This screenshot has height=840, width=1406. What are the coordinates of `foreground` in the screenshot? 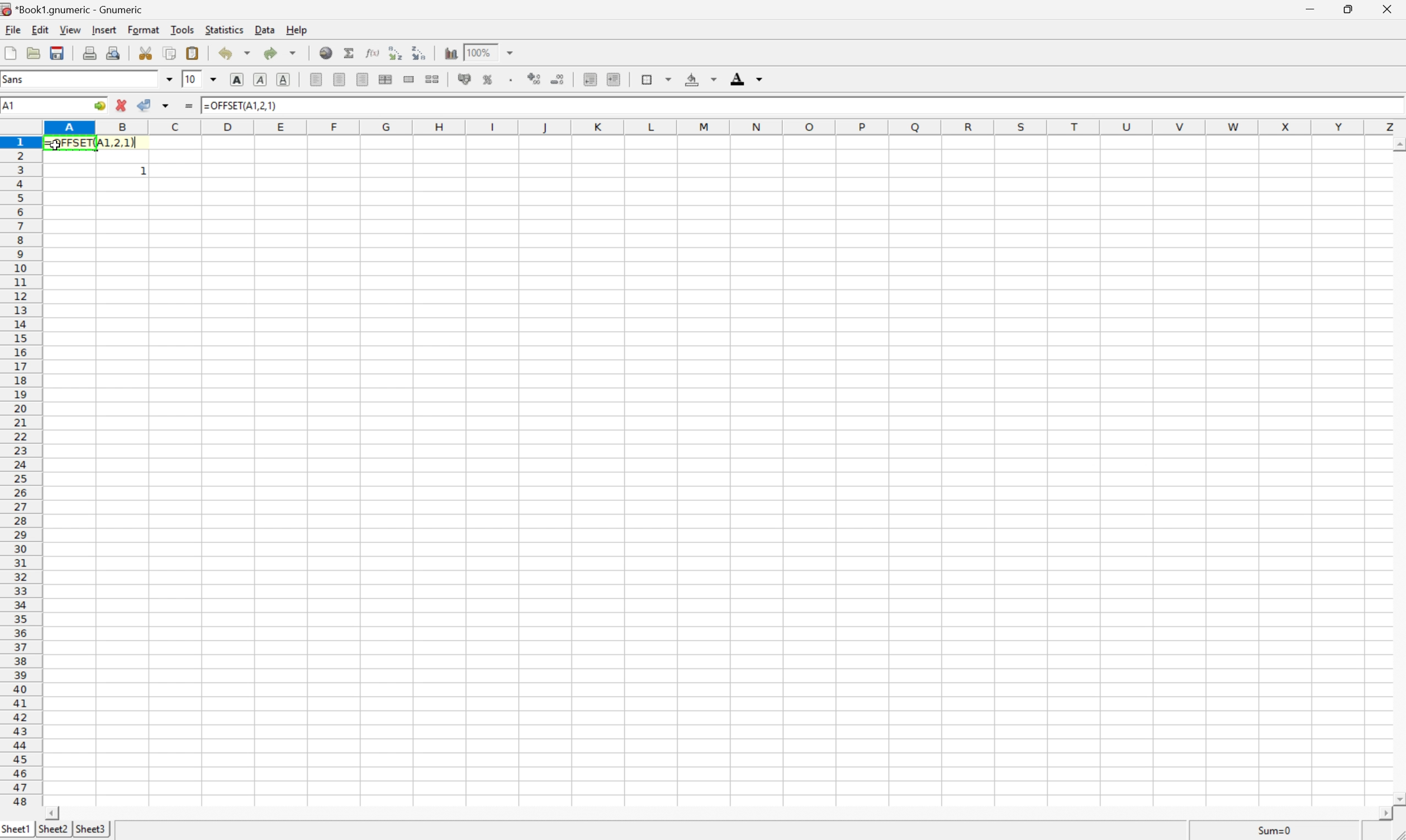 It's located at (746, 79).